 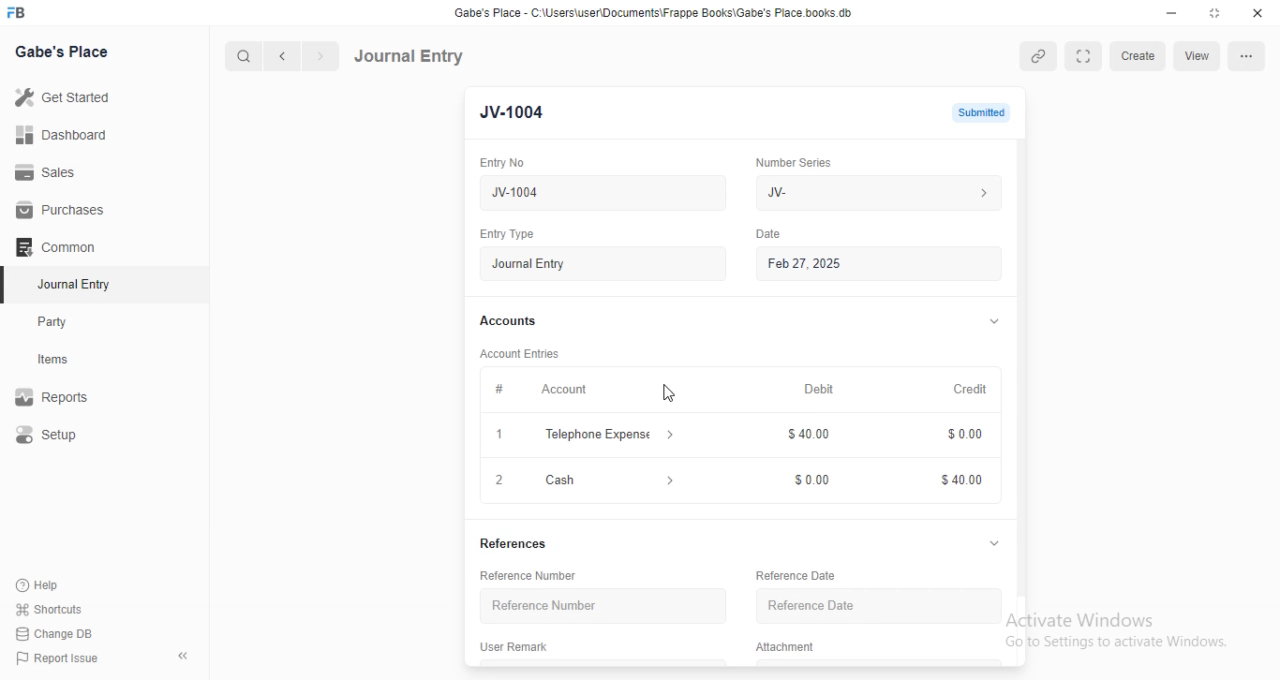 What do you see at coordinates (499, 388) in the screenshot?
I see `#` at bounding box center [499, 388].